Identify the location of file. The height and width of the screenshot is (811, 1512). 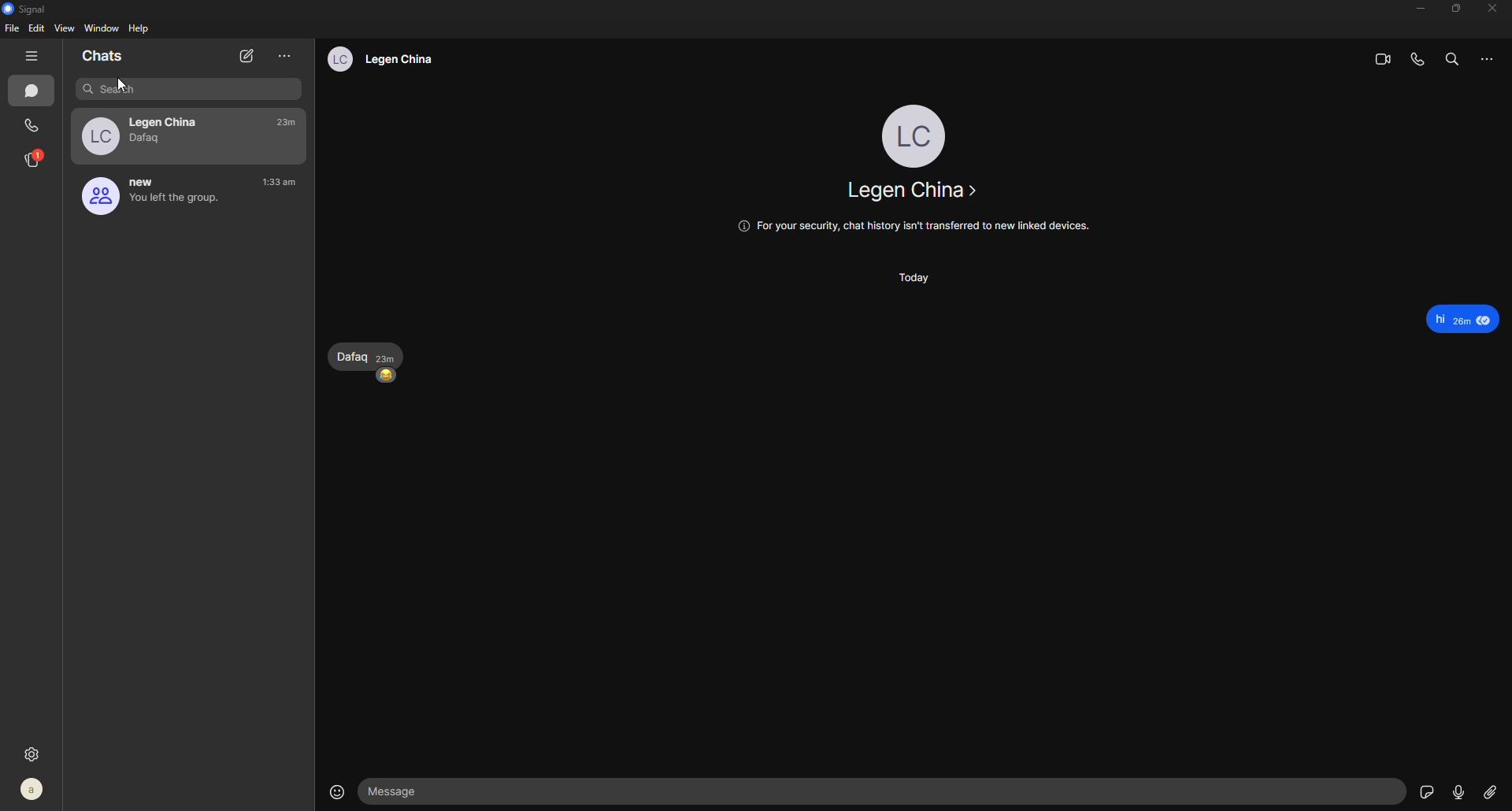
(11, 30).